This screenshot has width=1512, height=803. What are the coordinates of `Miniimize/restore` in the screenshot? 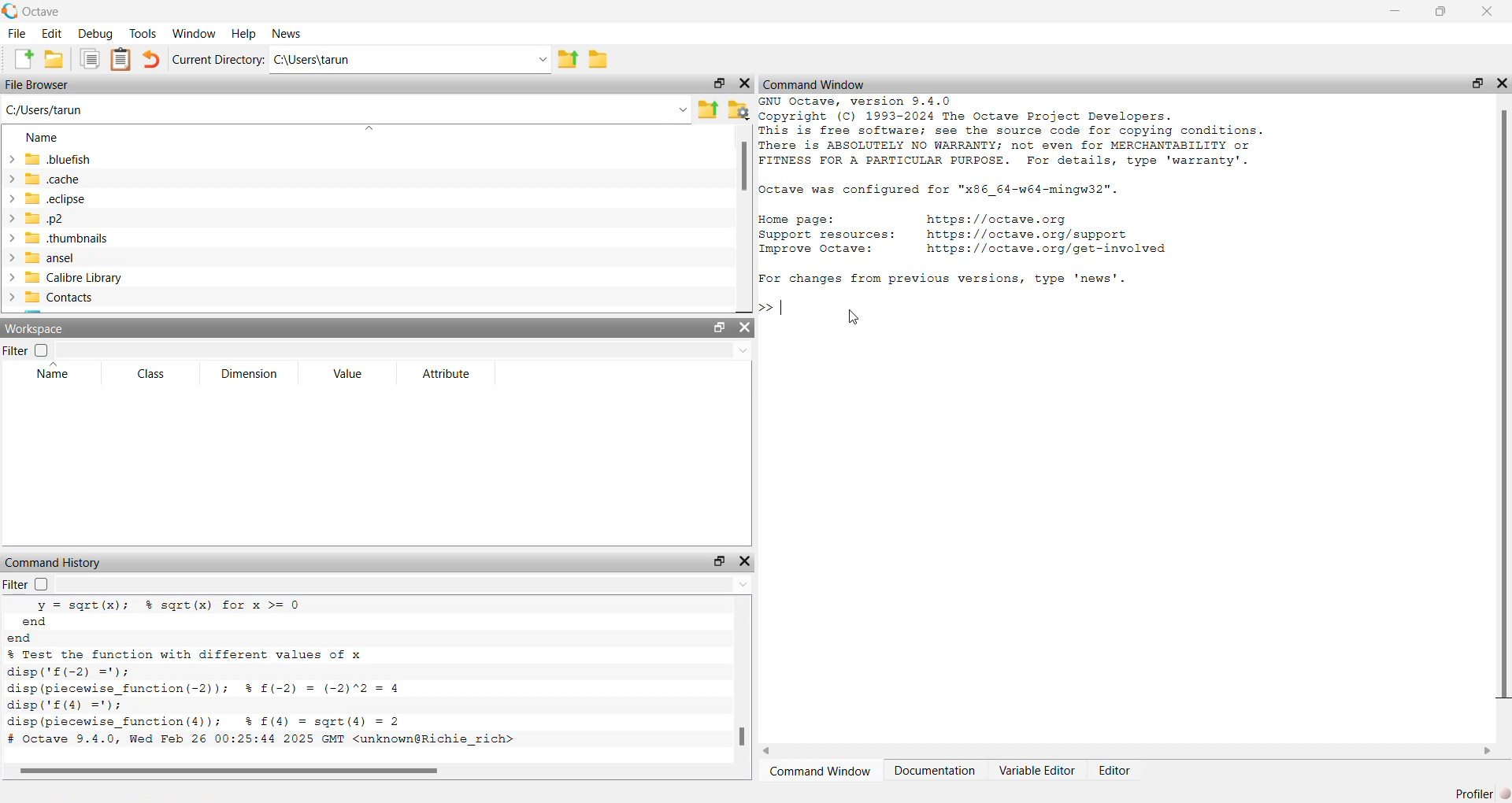 It's located at (715, 83).